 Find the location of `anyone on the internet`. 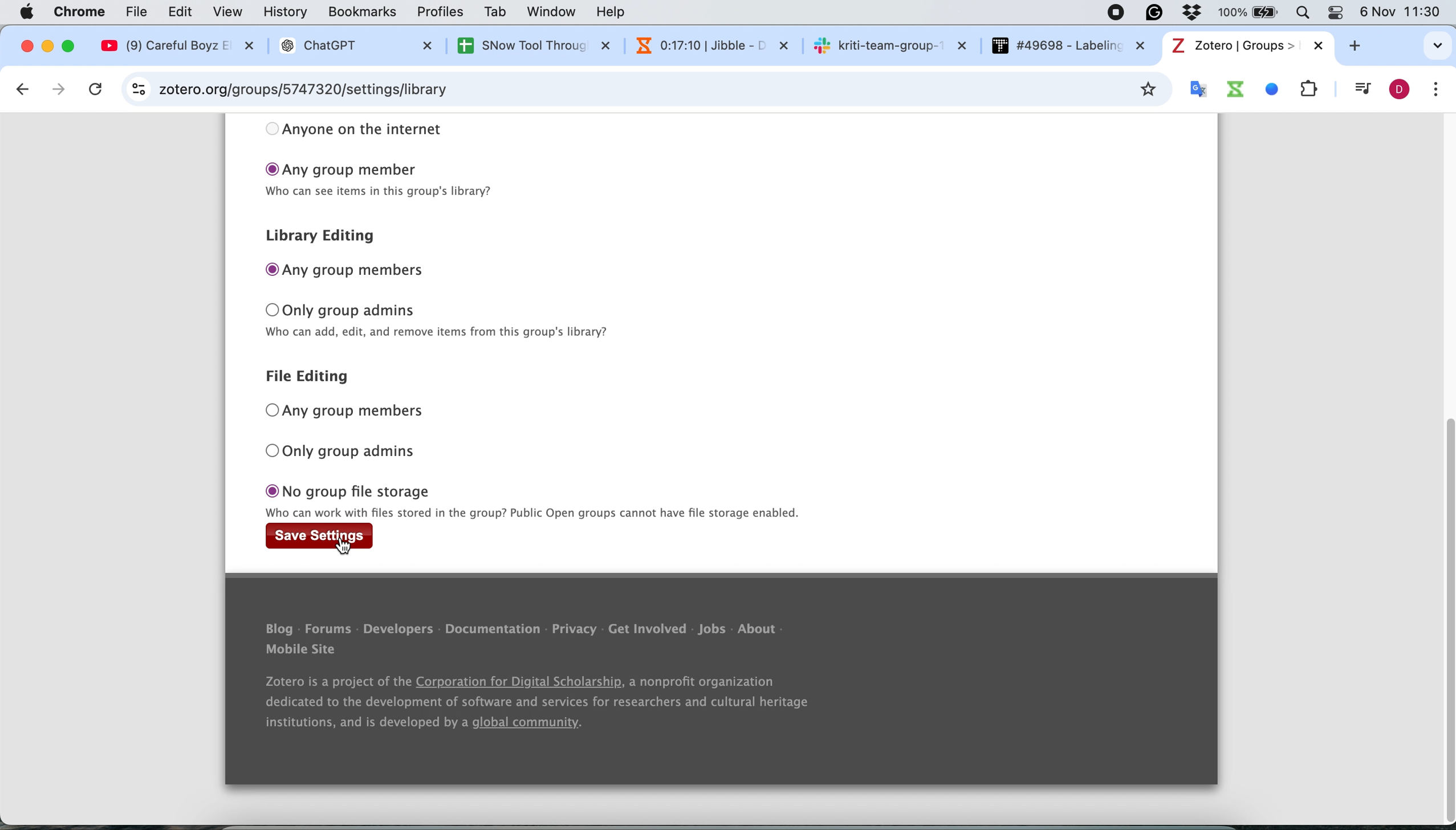

anyone on the internet is located at coordinates (369, 129).